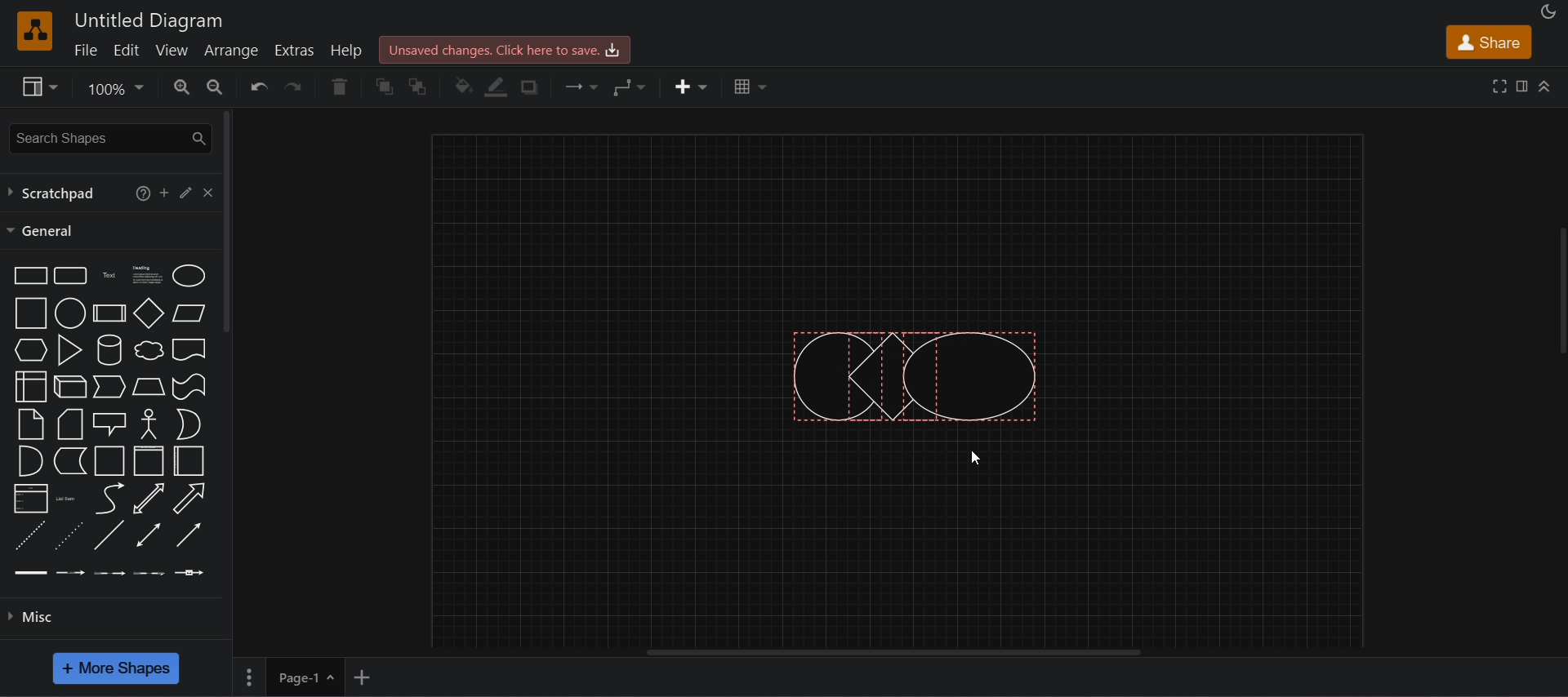  I want to click on heading, so click(146, 273).